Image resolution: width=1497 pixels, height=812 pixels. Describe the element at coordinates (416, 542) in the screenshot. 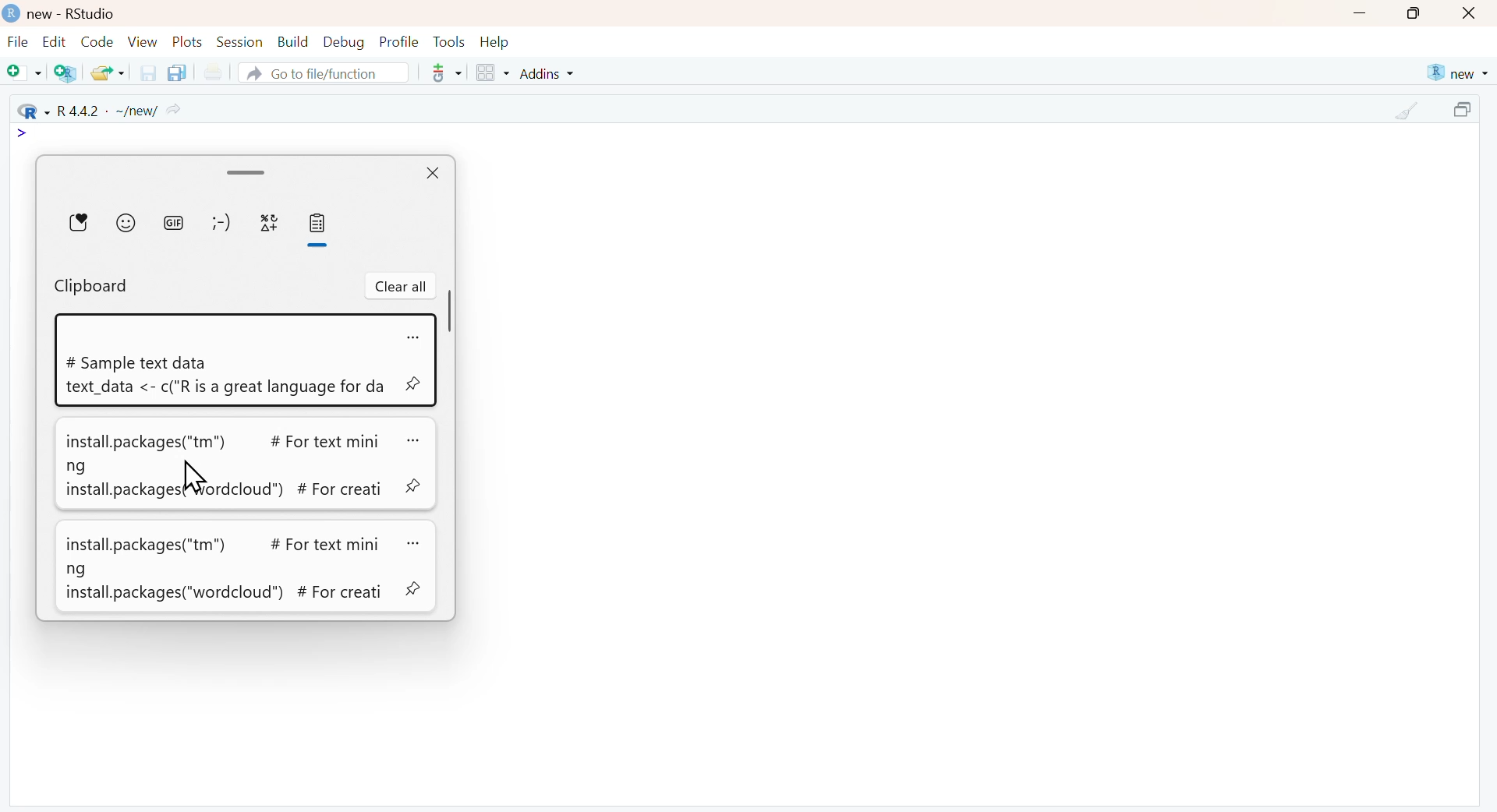

I see `more options` at that location.